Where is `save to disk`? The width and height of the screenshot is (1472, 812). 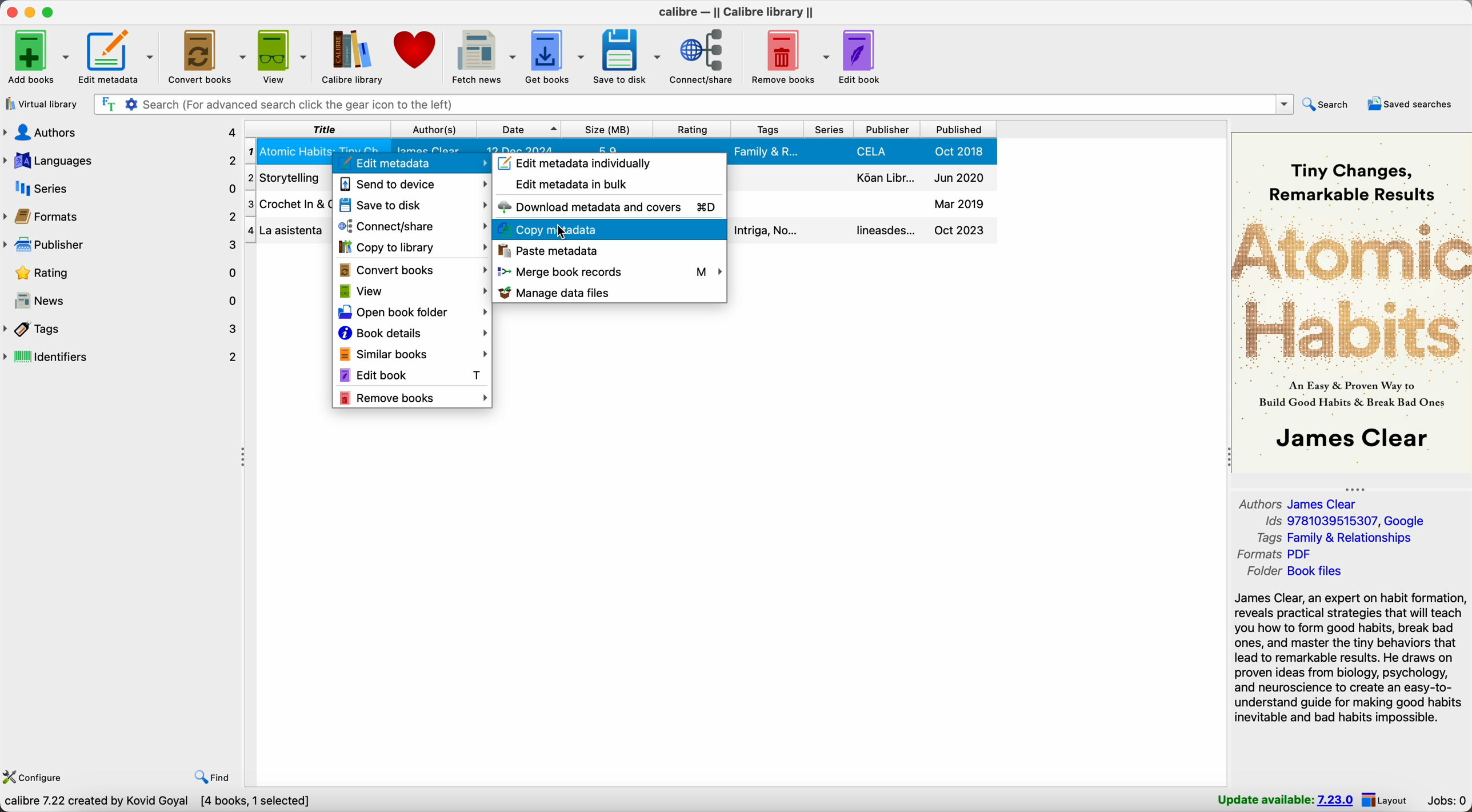 save to disk is located at coordinates (626, 55).